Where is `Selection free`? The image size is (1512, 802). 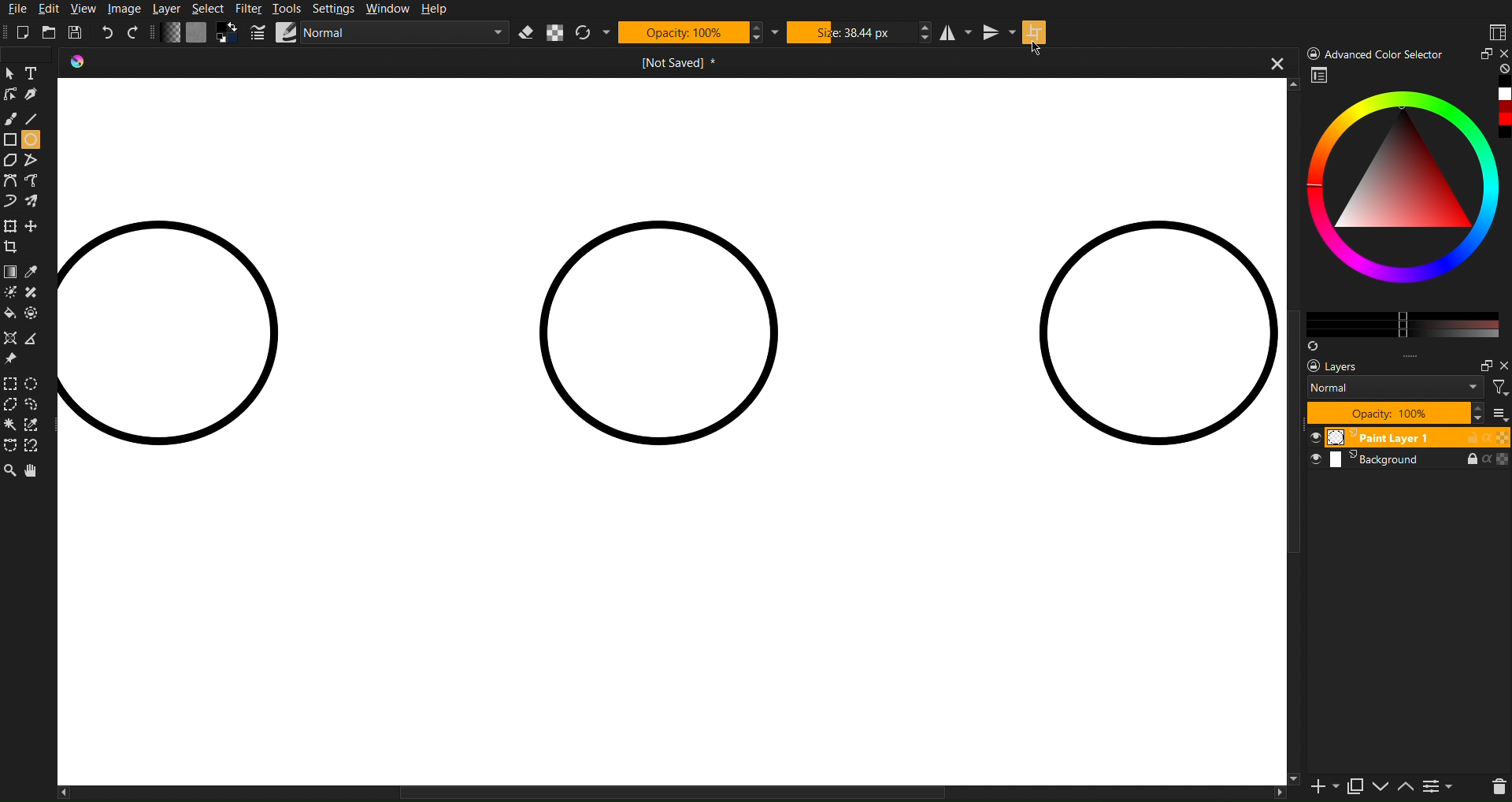
Selection free is located at coordinates (32, 405).